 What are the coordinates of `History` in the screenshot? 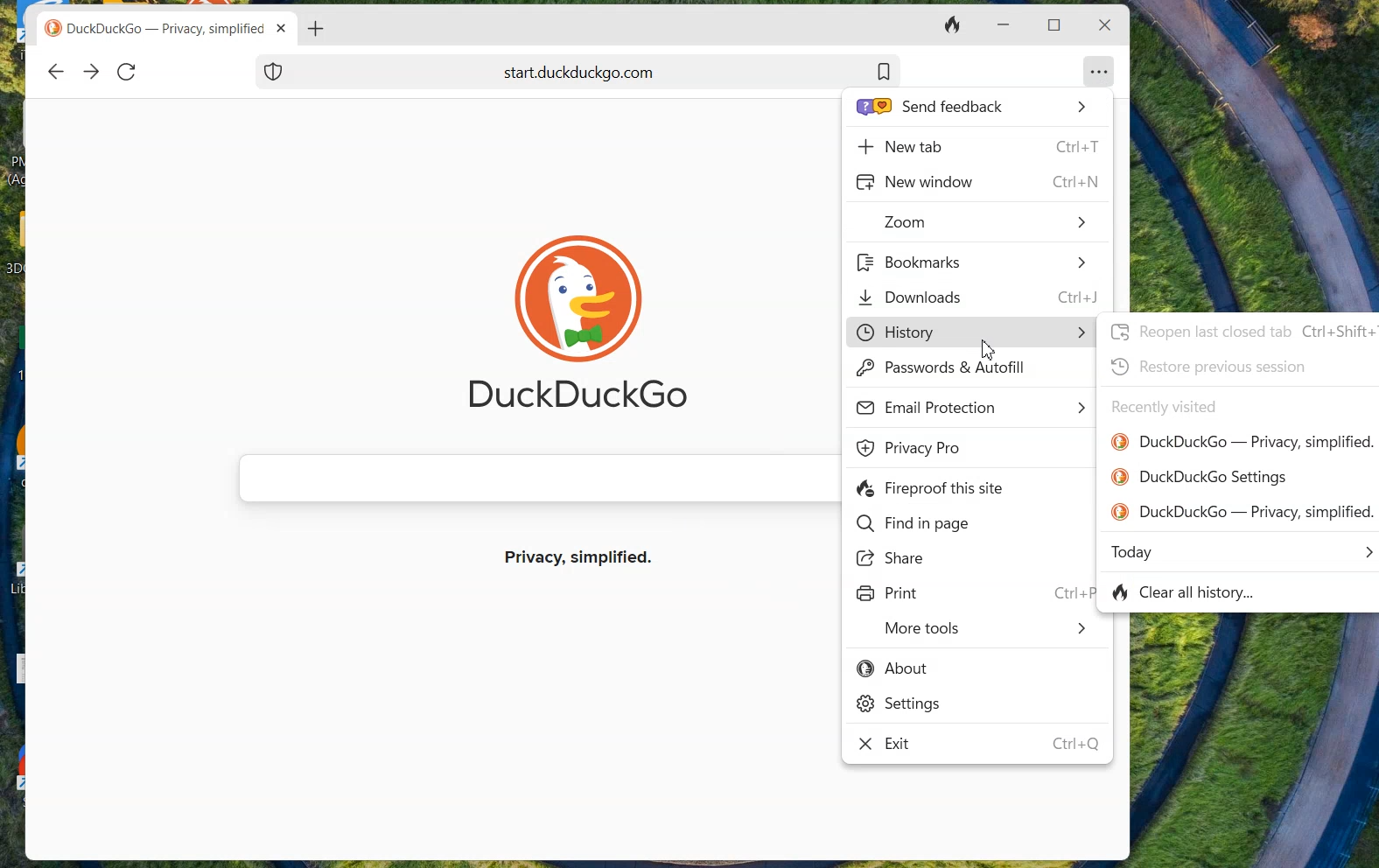 It's located at (969, 331).